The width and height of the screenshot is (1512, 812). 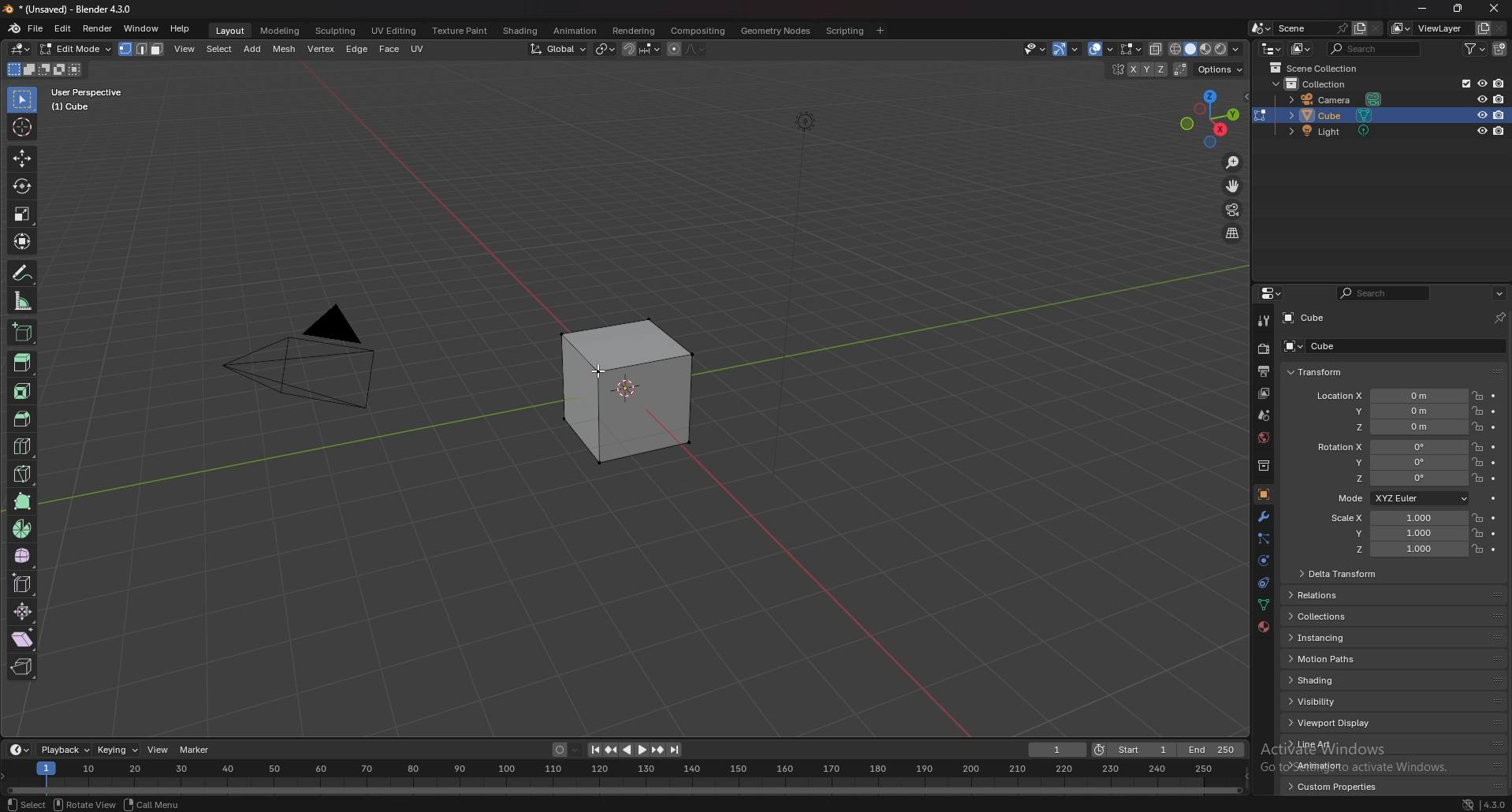 What do you see at coordinates (634, 32) in the screenshot?
I see `rendering` at bounding box center [634, 32].